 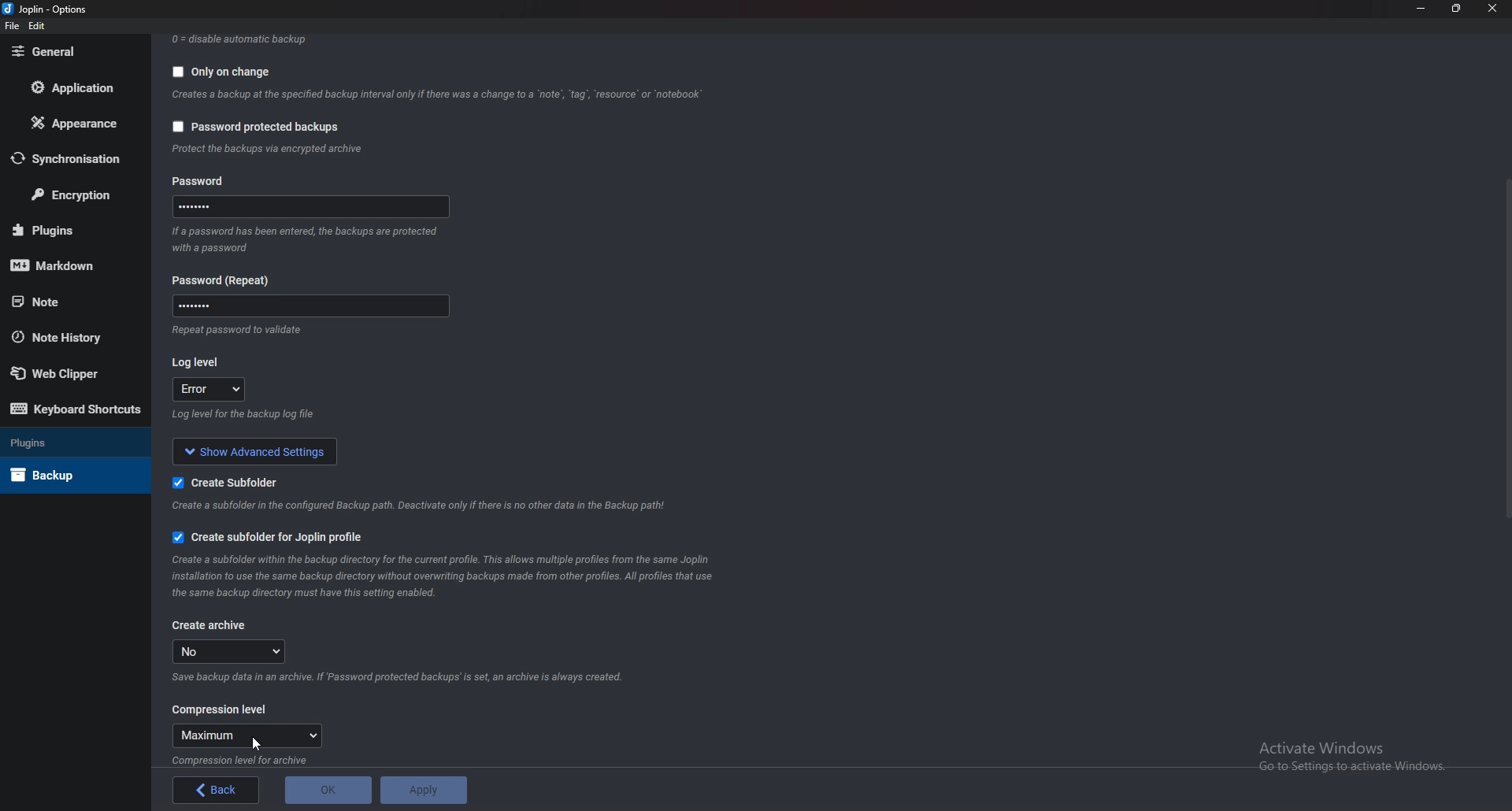 I want to click on Info on password, so click(x=308, y=243).